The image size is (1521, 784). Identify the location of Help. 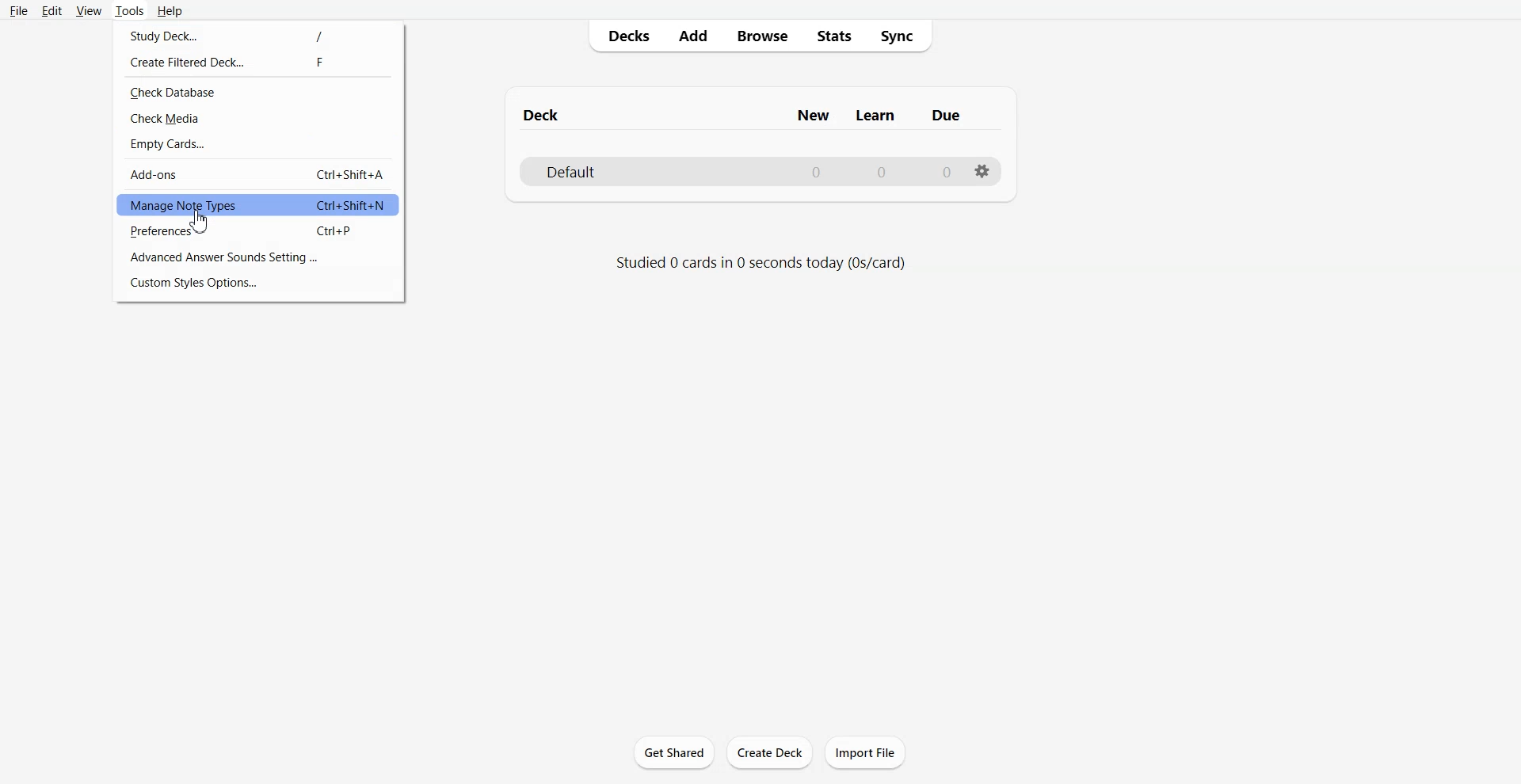
(169, 10).